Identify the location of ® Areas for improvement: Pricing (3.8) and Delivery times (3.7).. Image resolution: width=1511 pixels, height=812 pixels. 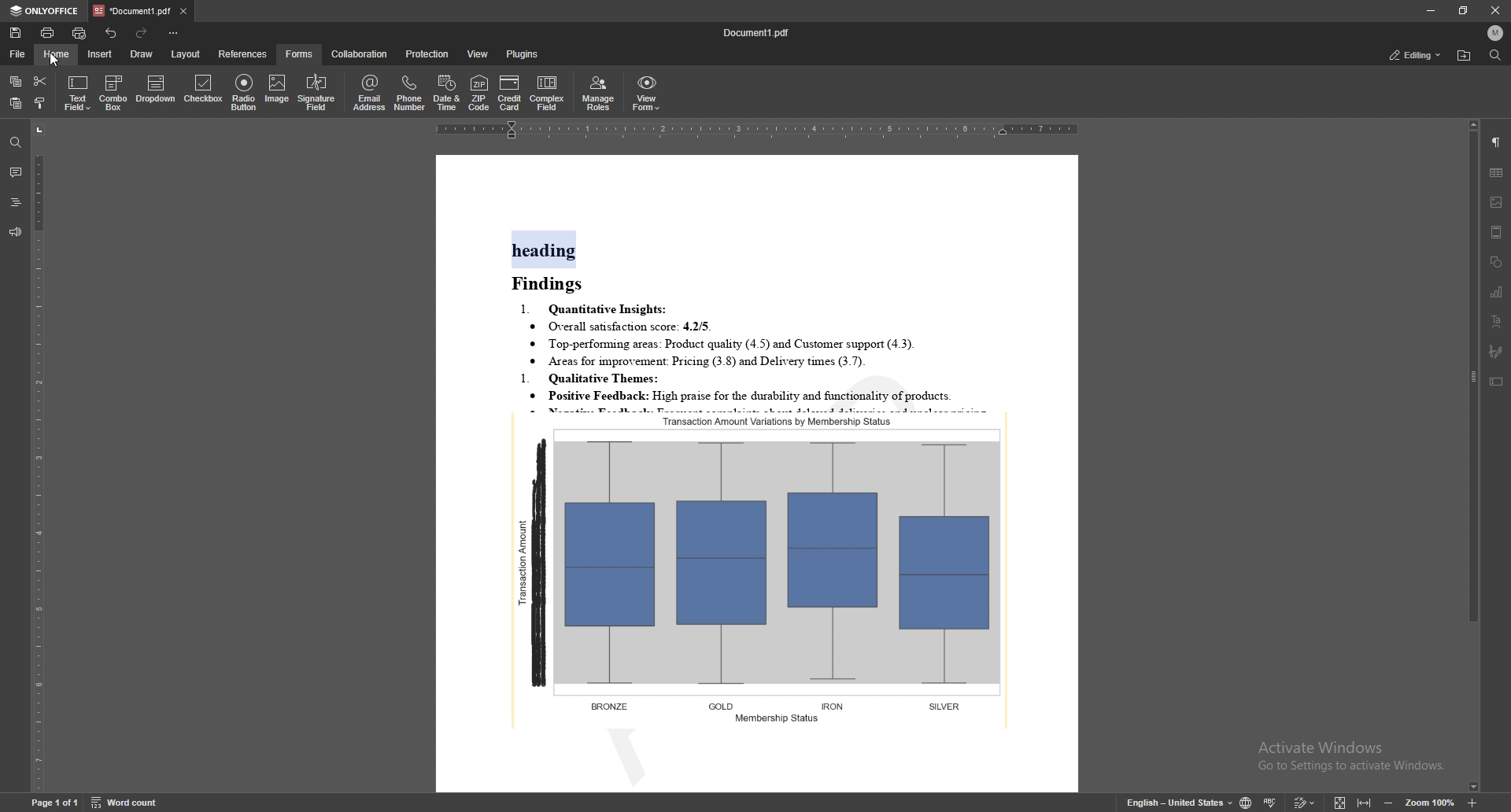
(698, 361).